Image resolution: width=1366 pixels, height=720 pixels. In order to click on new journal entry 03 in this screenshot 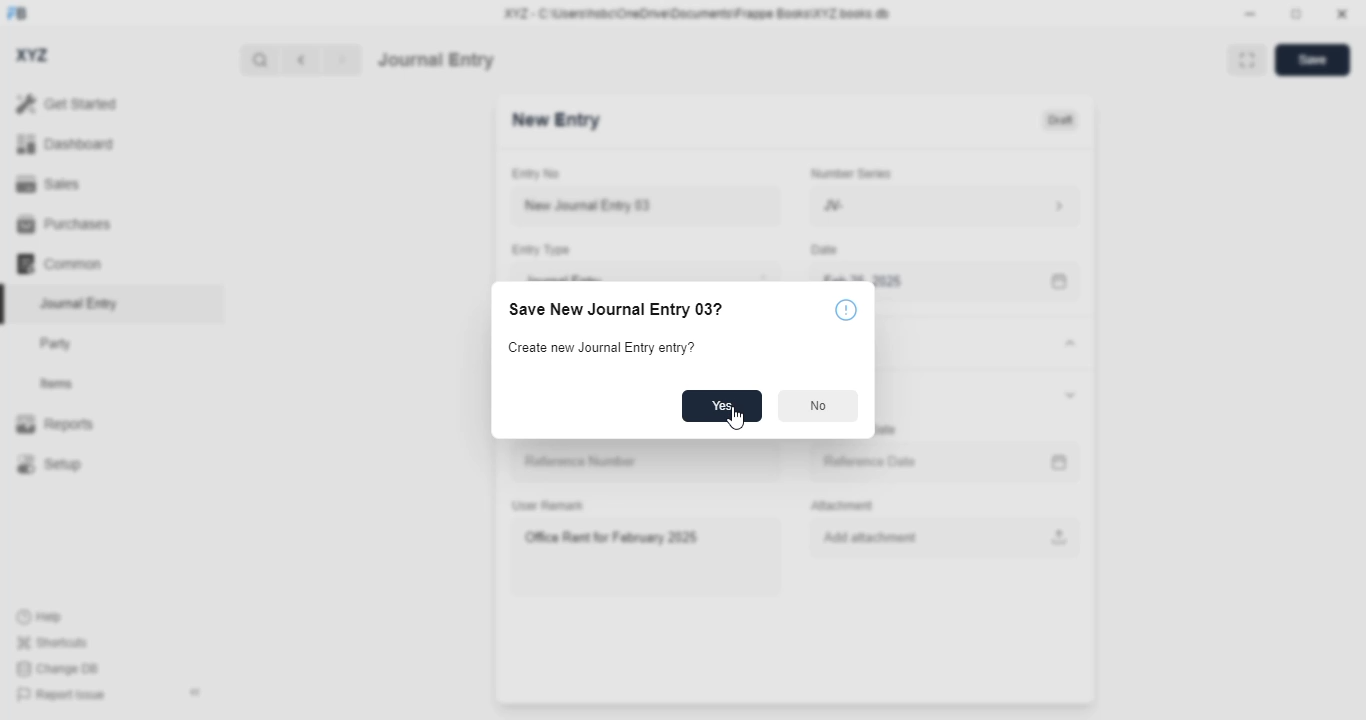, I will do `click(644, 206)`.